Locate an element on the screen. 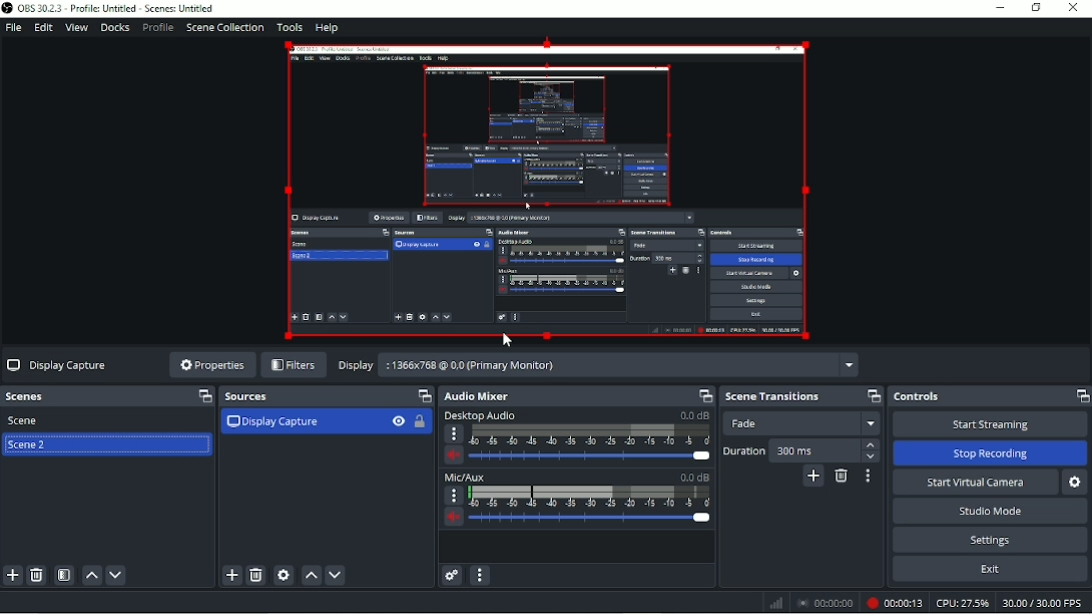  Move scene up is located at coordinates (92, 576).